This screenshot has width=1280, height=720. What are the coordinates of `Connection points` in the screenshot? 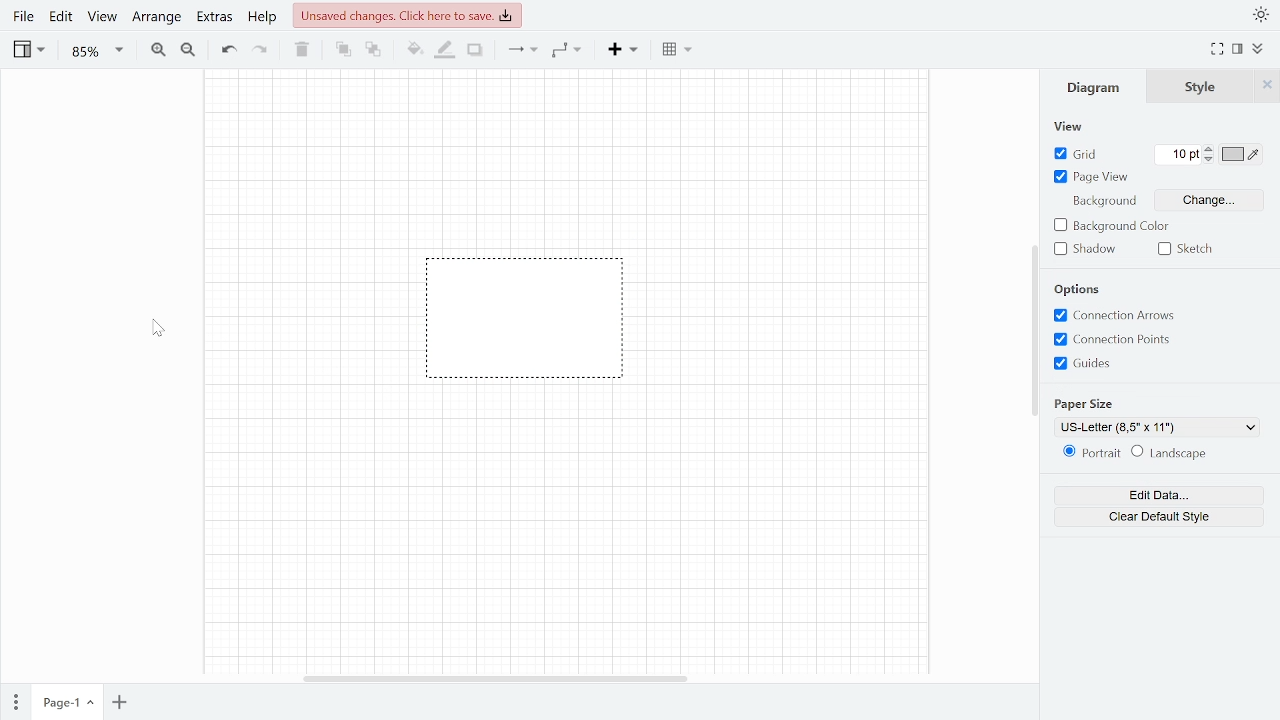 It's located at (1116, 340).